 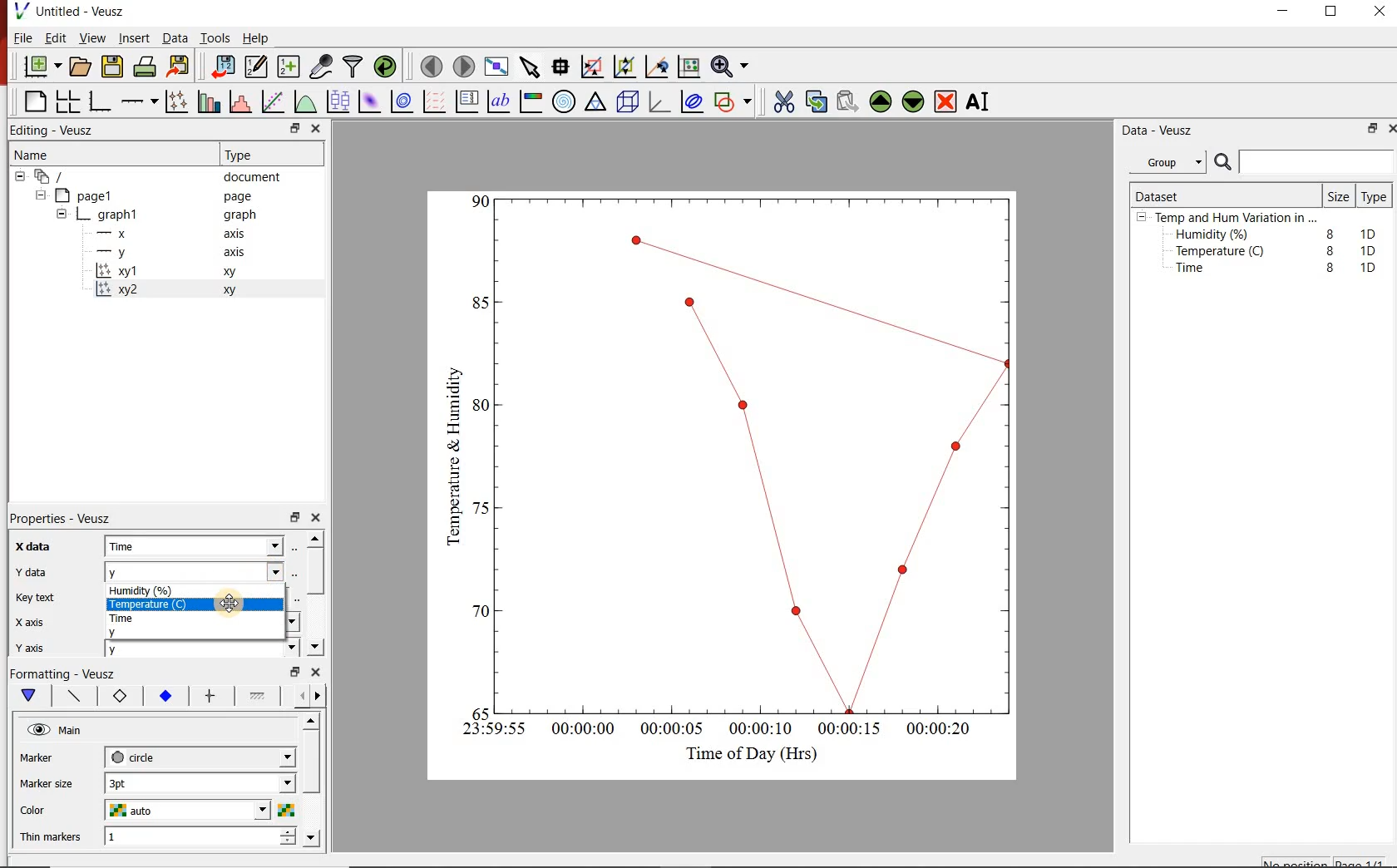 I want to click on text label, so click(x=502, y=101).